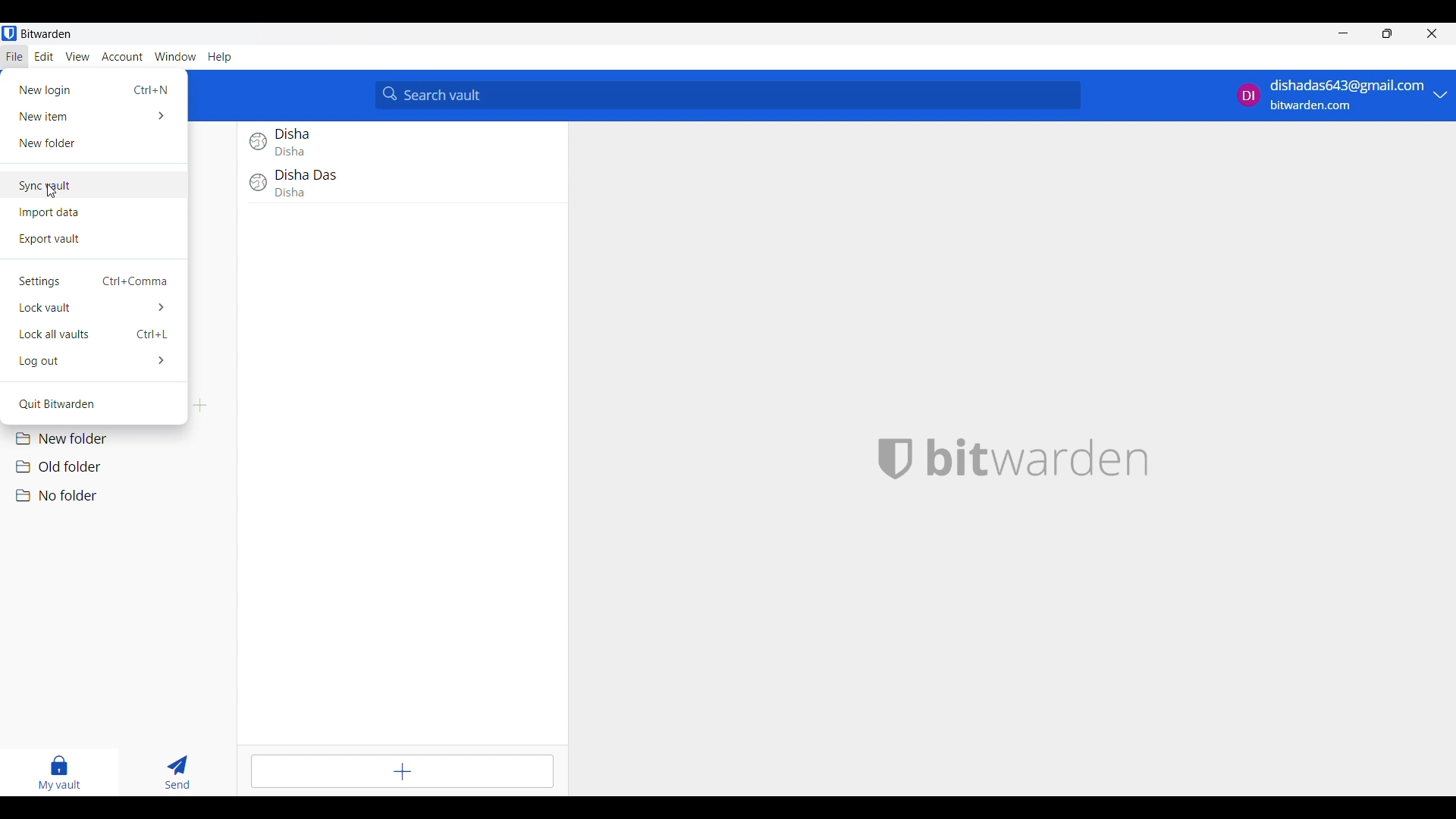  Describe the element at coordinates (59, 773) in the screenshot. I see `My vault` at that location.